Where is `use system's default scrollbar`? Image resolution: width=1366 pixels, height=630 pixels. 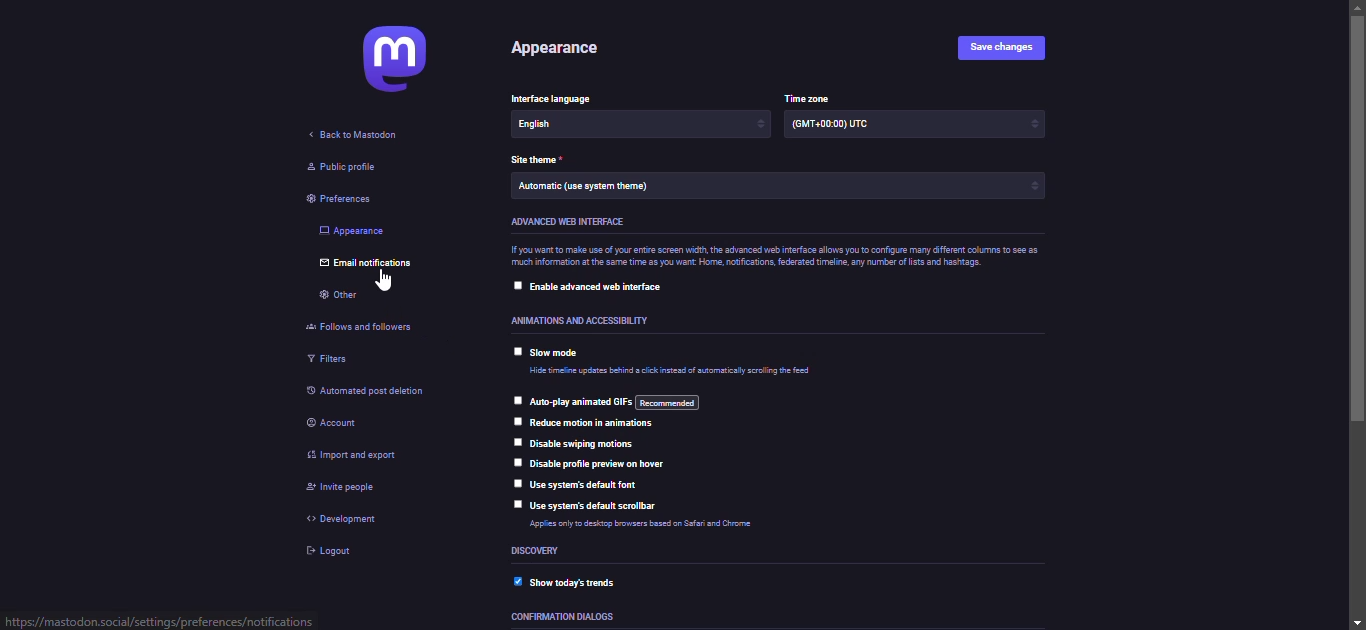 use system's default scrollbar is located at coordinates (596, 506).